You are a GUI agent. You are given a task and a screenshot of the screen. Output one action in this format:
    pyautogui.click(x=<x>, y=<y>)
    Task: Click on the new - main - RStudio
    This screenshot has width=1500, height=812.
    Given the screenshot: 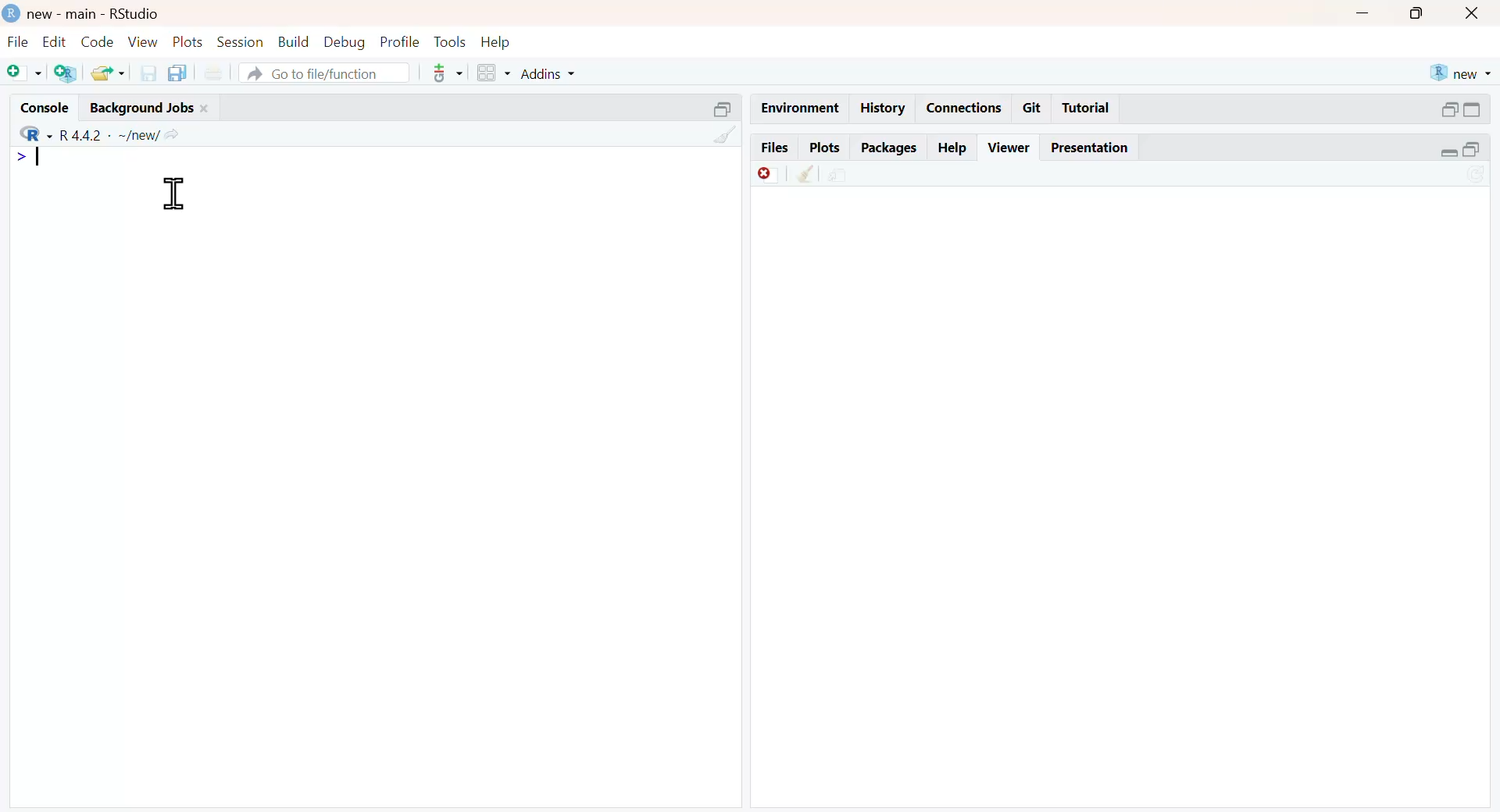 What is the action you would take?
    pyautogui.click(x=96, y=15)
    